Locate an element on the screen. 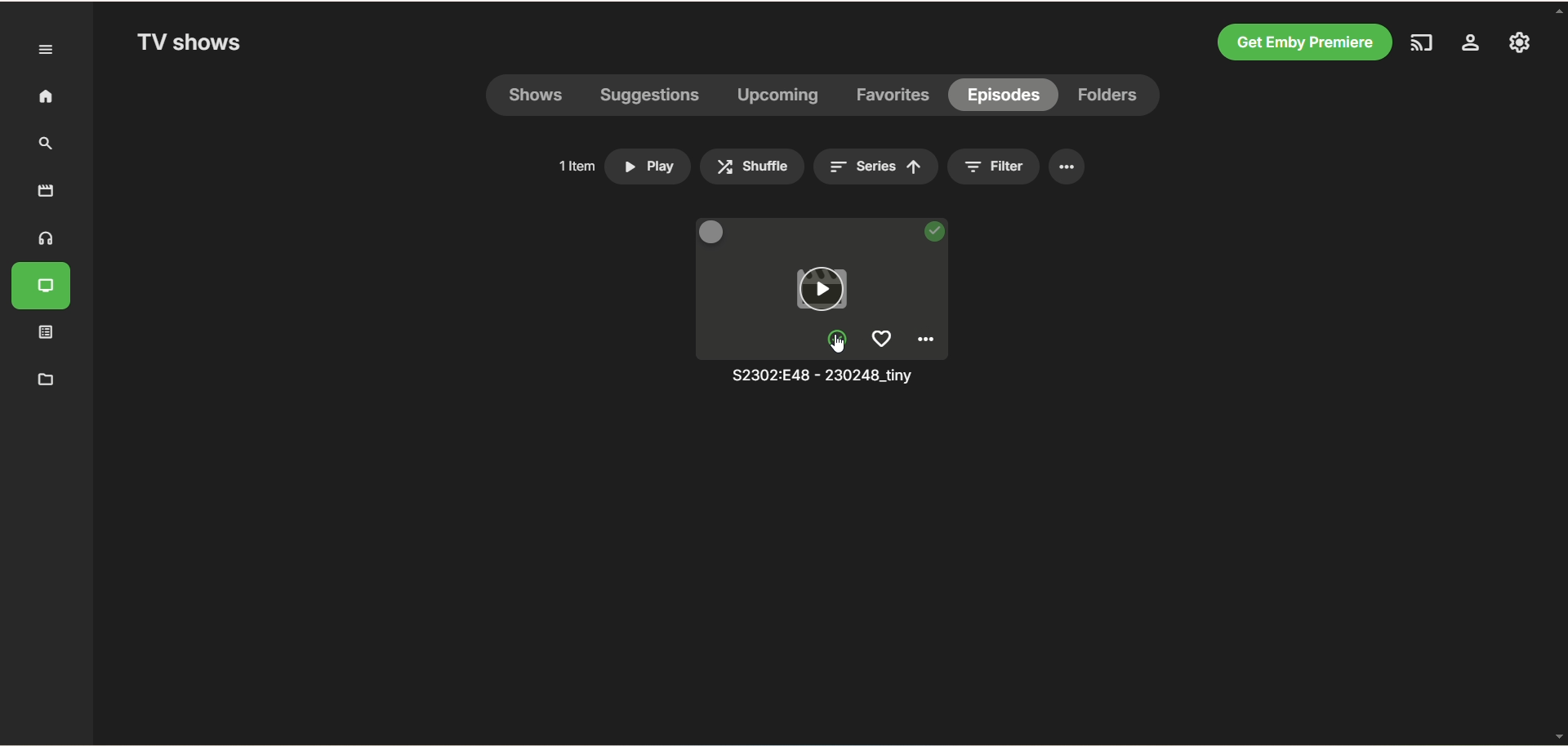 This screenshot has width=1568, height=746. TV shows is located at coordinates (194, 44).